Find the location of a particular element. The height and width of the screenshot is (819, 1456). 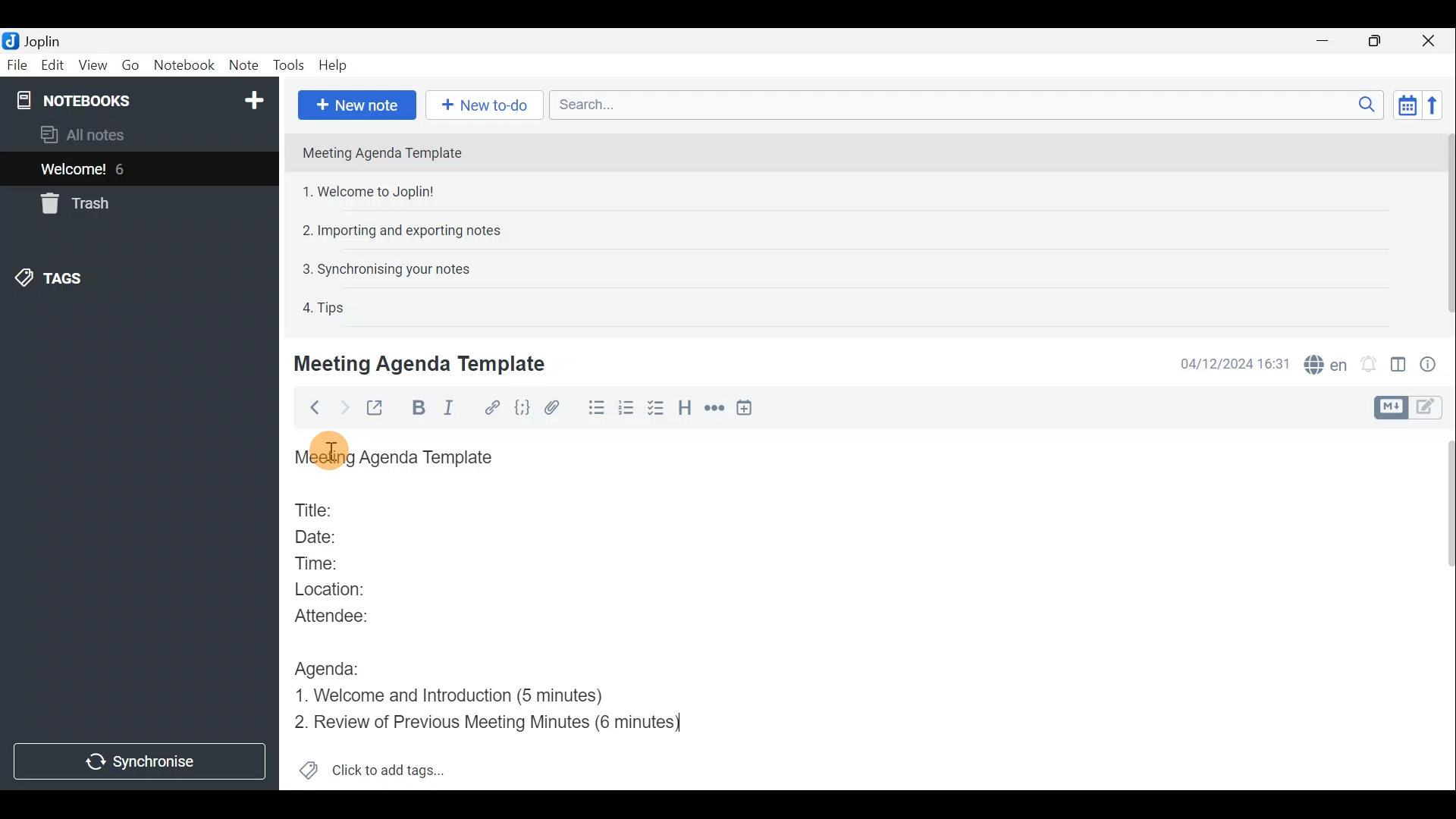

Toggle editors is located at coordinates (1429, 409).